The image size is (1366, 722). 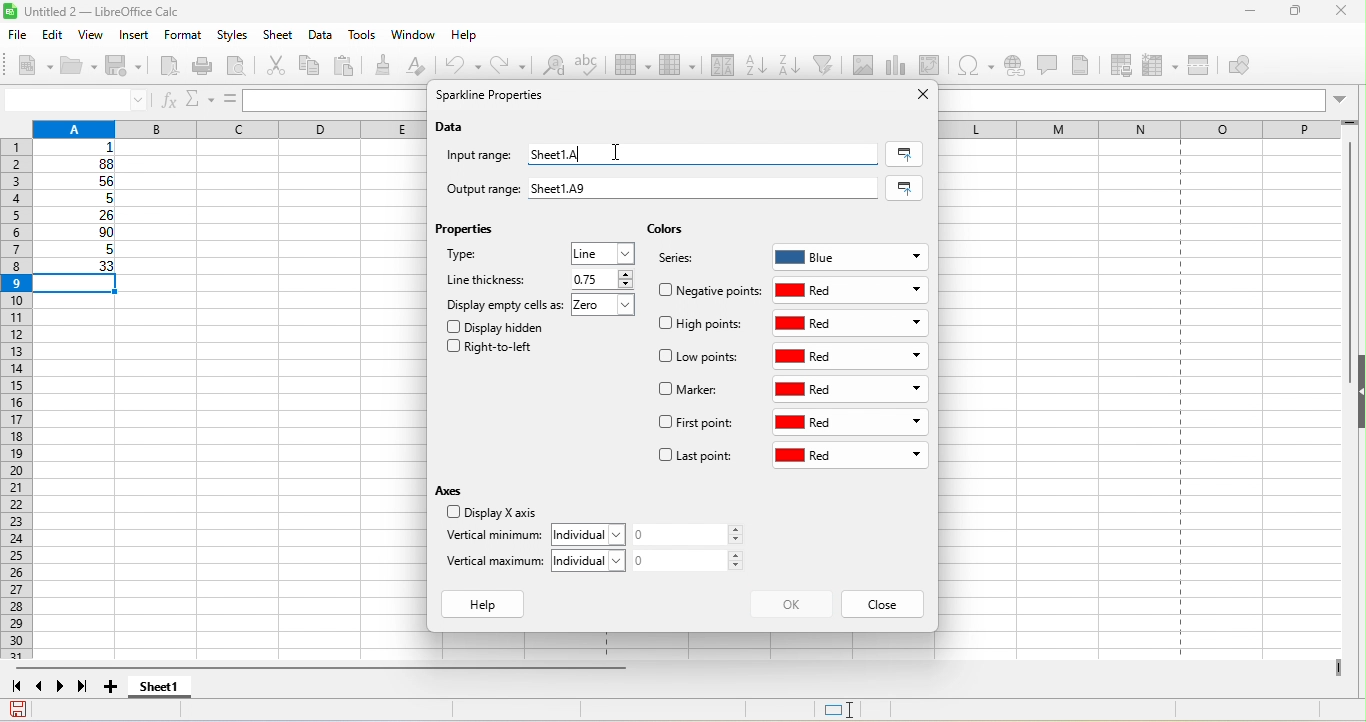 I want to click on sheet a9, so click(x=707, y=189).